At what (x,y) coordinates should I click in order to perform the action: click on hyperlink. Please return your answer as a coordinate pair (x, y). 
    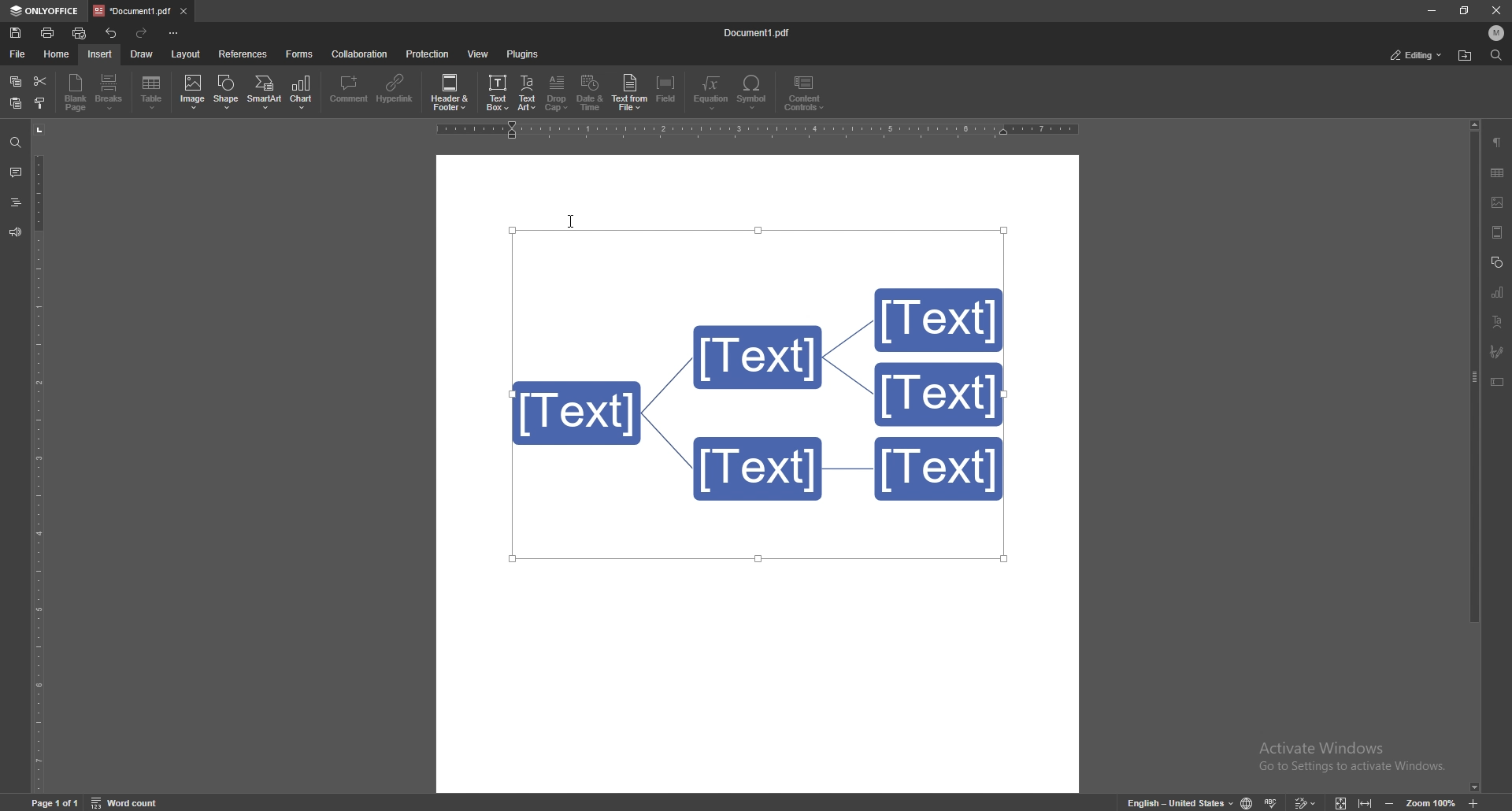
    Looking at the image, I should click on (395, 91).